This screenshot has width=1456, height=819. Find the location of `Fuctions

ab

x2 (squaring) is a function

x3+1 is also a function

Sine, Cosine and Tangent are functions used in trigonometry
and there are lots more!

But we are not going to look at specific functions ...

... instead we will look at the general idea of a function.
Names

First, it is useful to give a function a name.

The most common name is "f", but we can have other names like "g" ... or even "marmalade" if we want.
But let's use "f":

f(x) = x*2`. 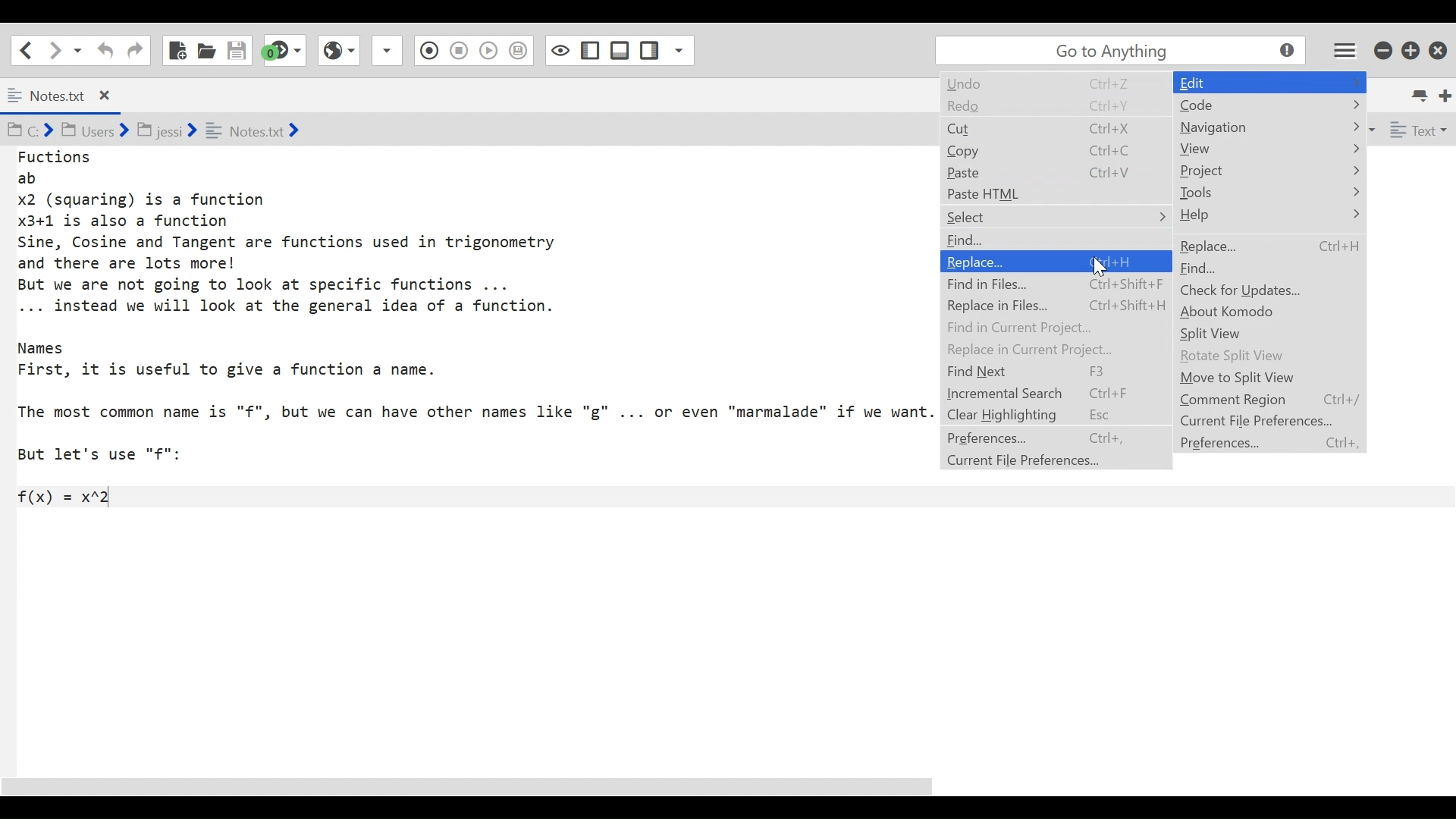

Fuctions

ab

x2 (squaring) is a function

x3+1 is also a function

Sine, Cosine and Tangent are functions used in trigonometry
and there are lots more!

But we are not going to look at specific functions ...

... instead we will look at the general idea of a function.
Names

First, it is useful to give a function a name.

The most common name is "f", but we can have other names like "g" ... or even "marmalade" if we want.
But let's use "f":

f(x) = x*2 is located at coordinates (475, 328).